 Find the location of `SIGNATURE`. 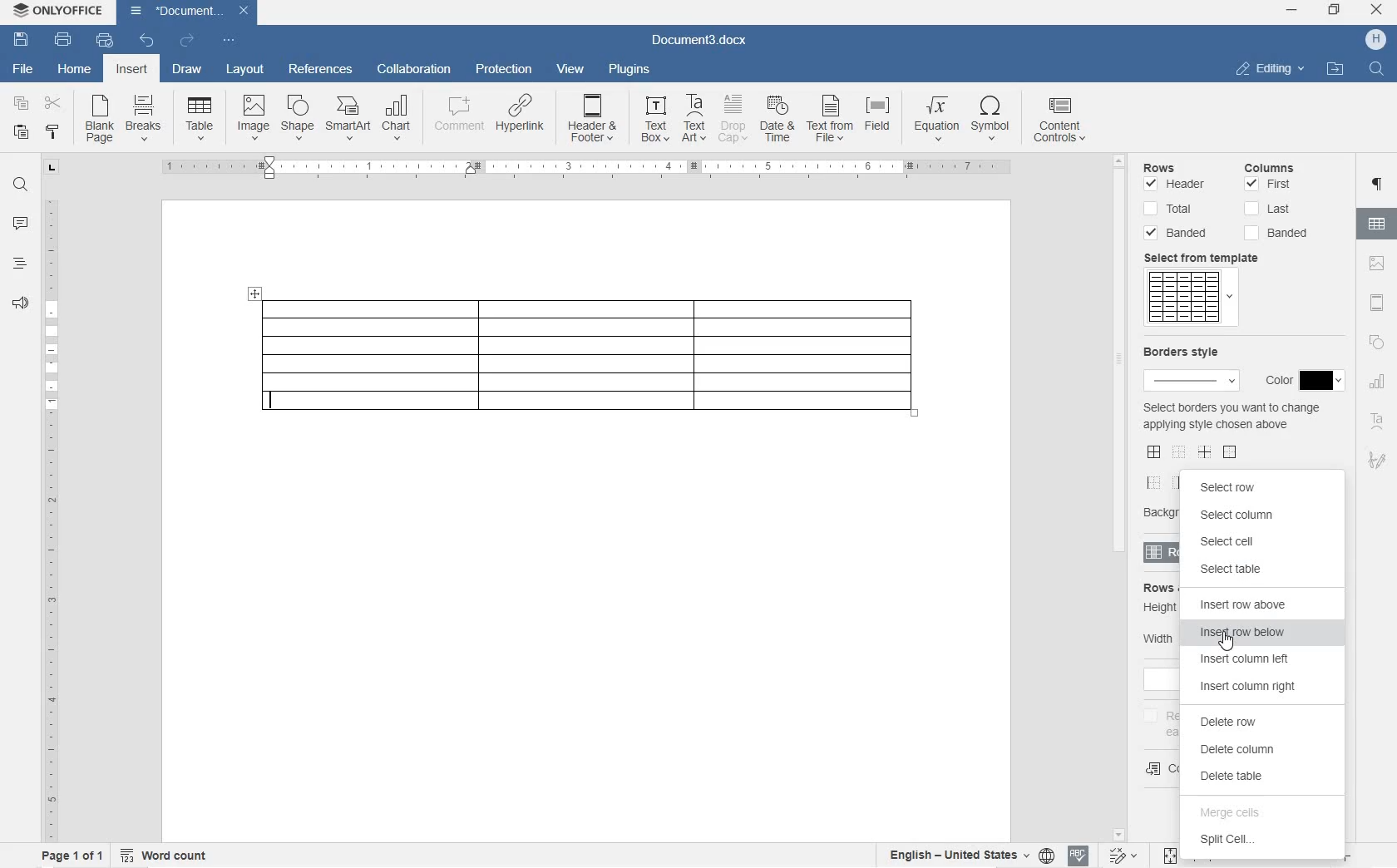

SIGNATURE is located at coordinates (1377, 456).